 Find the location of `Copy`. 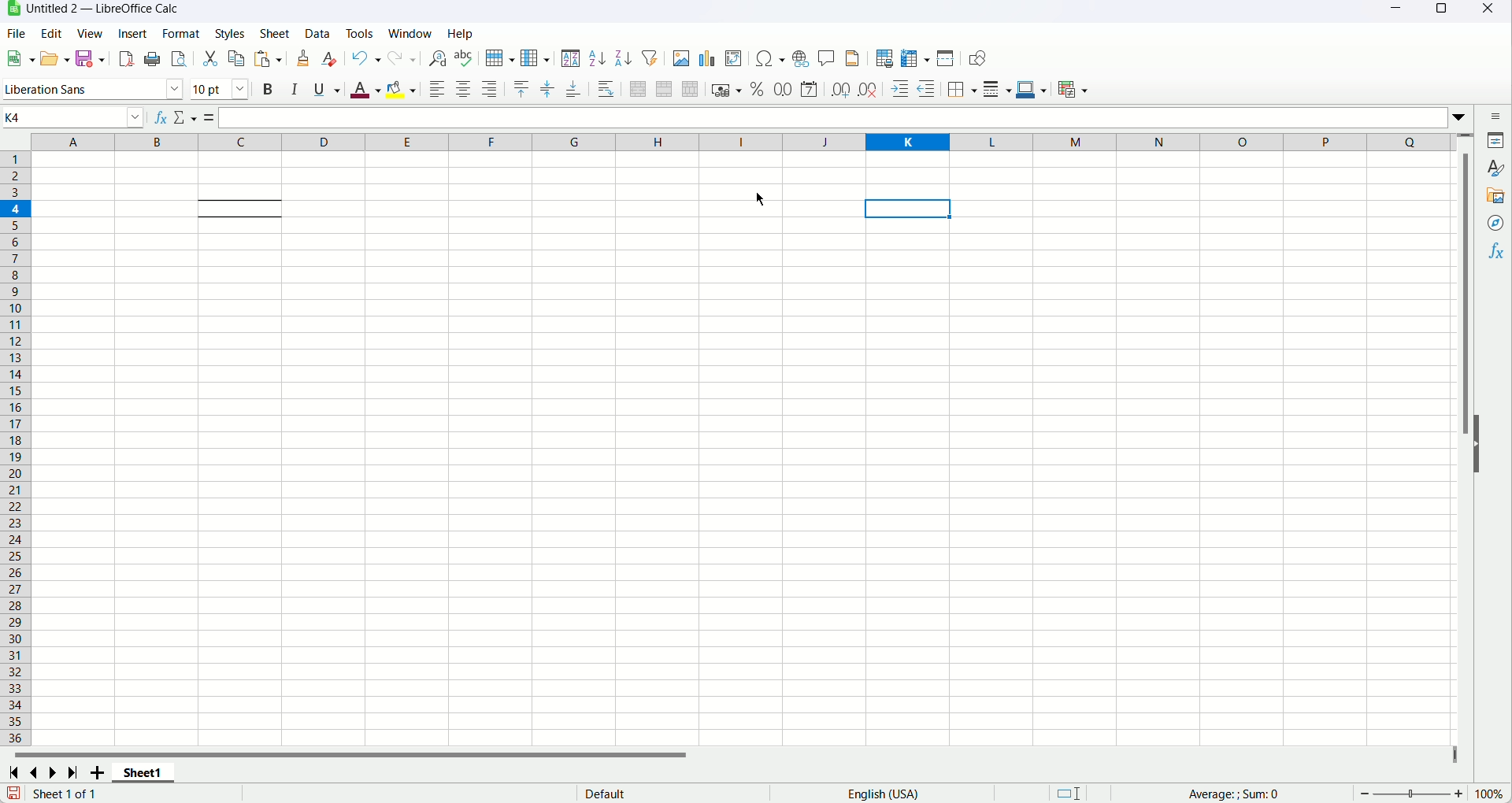

Copy is located at coordinates (236, 59).